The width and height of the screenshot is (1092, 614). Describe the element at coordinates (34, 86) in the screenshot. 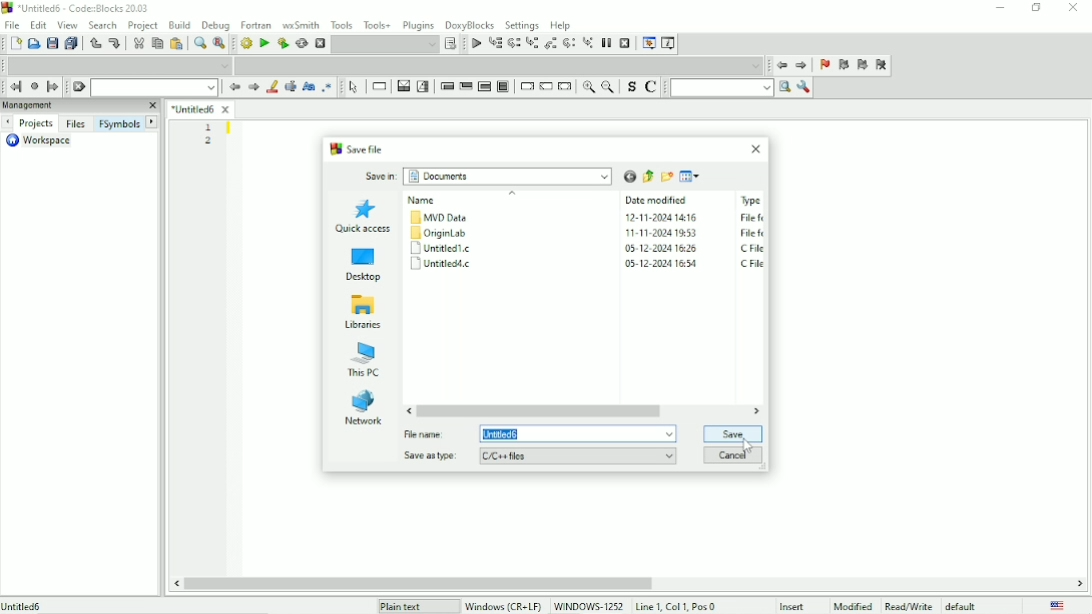

I see `Last jump` at that location.